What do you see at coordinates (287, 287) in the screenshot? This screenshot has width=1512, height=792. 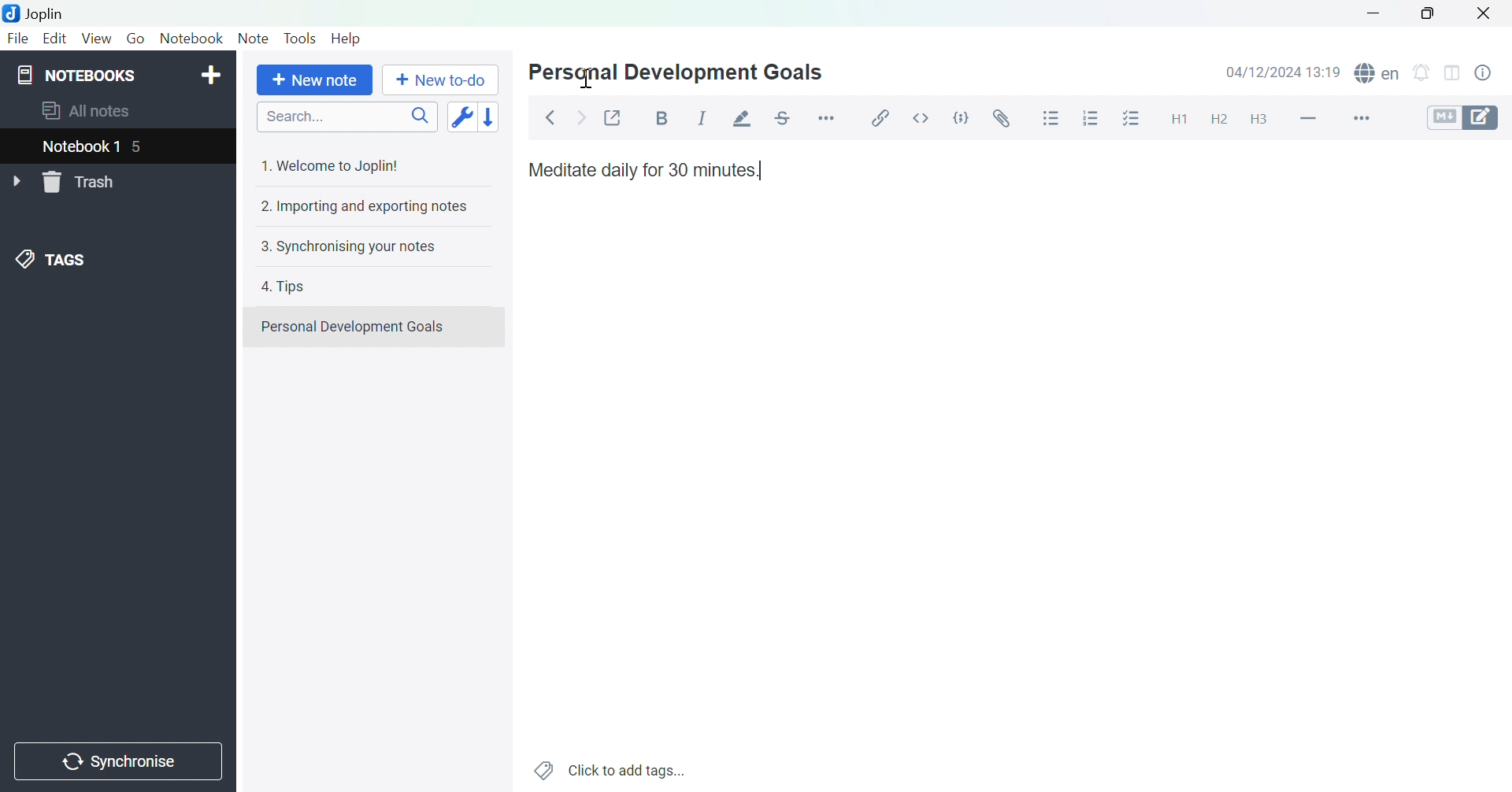 I see `4. Tips` at bounding box center [287, 287].